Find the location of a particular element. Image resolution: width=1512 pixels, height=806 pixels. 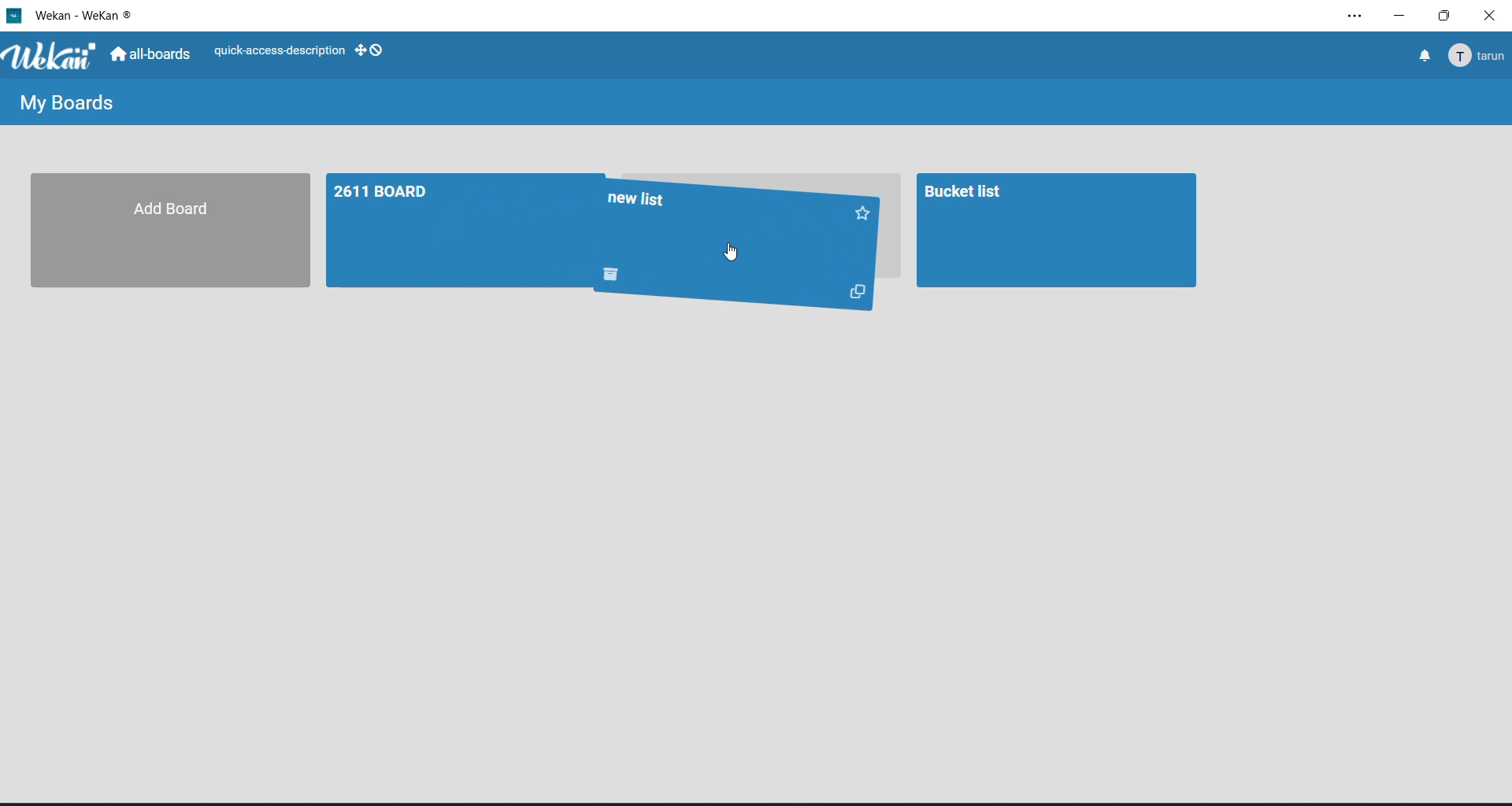

maximize is located at coordinates (1448, 19).